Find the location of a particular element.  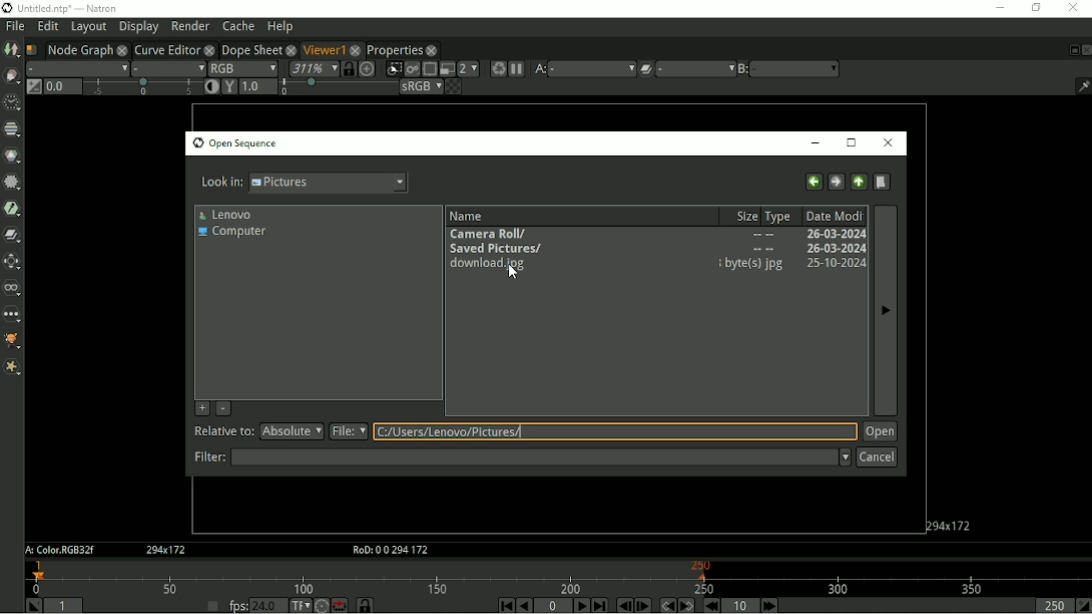

Draw is located at coordinates (11, 76).